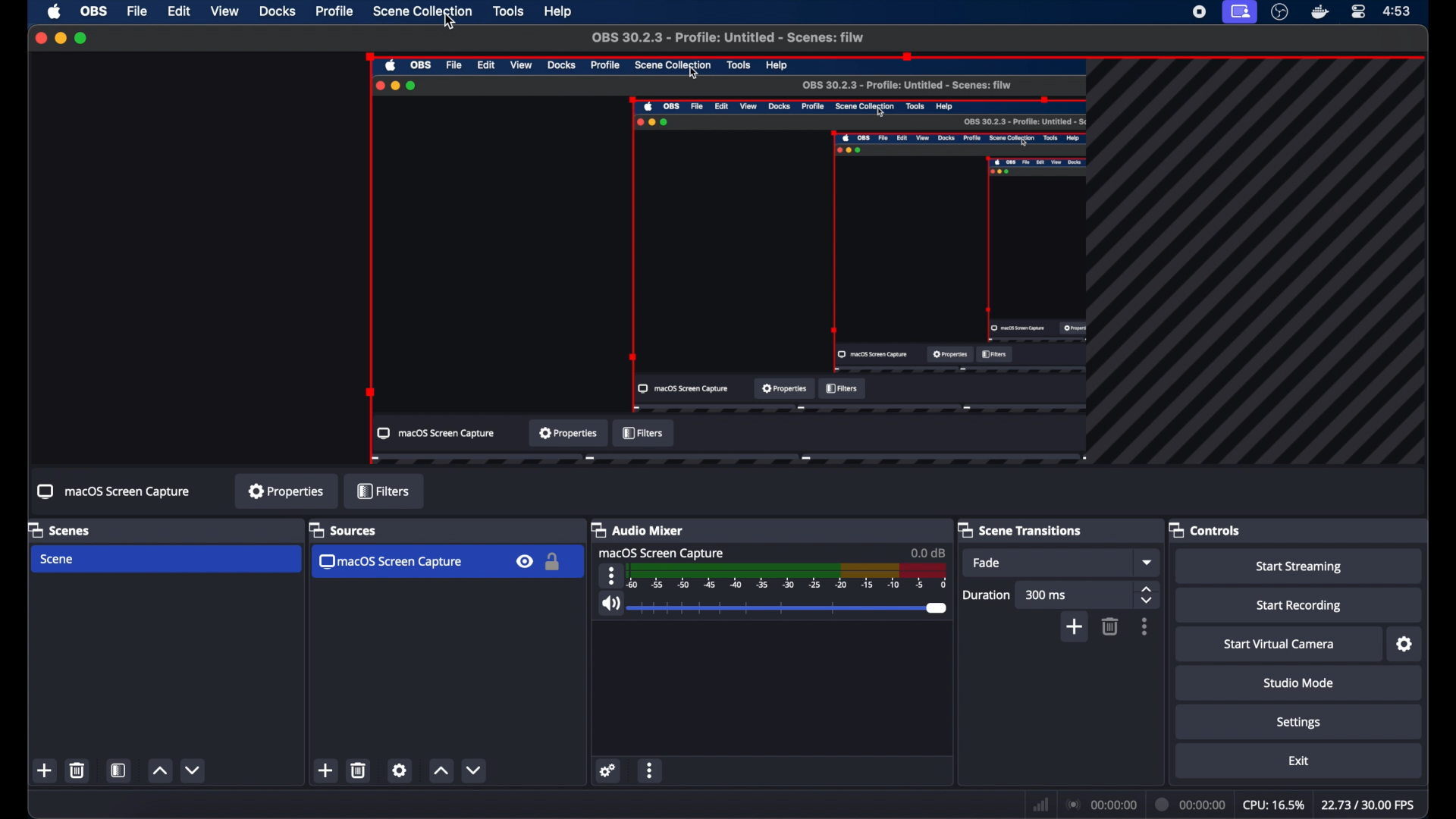 The image size is (1456, 819). Describe the element at coordinates (609, 576) in the screenshot. I see `more options` at that location.